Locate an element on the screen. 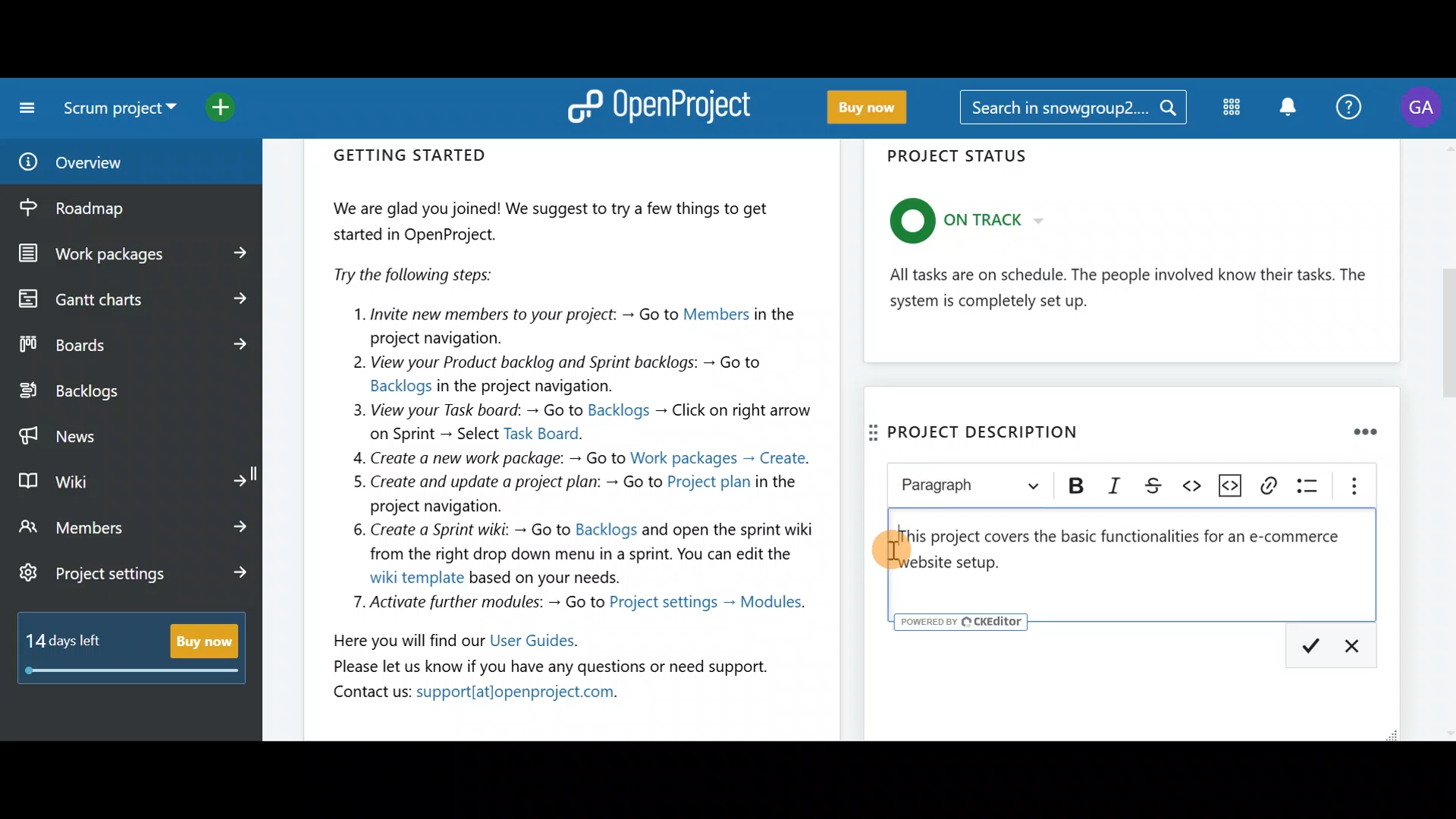  Gantt charts is located at coordinates (129, 297).